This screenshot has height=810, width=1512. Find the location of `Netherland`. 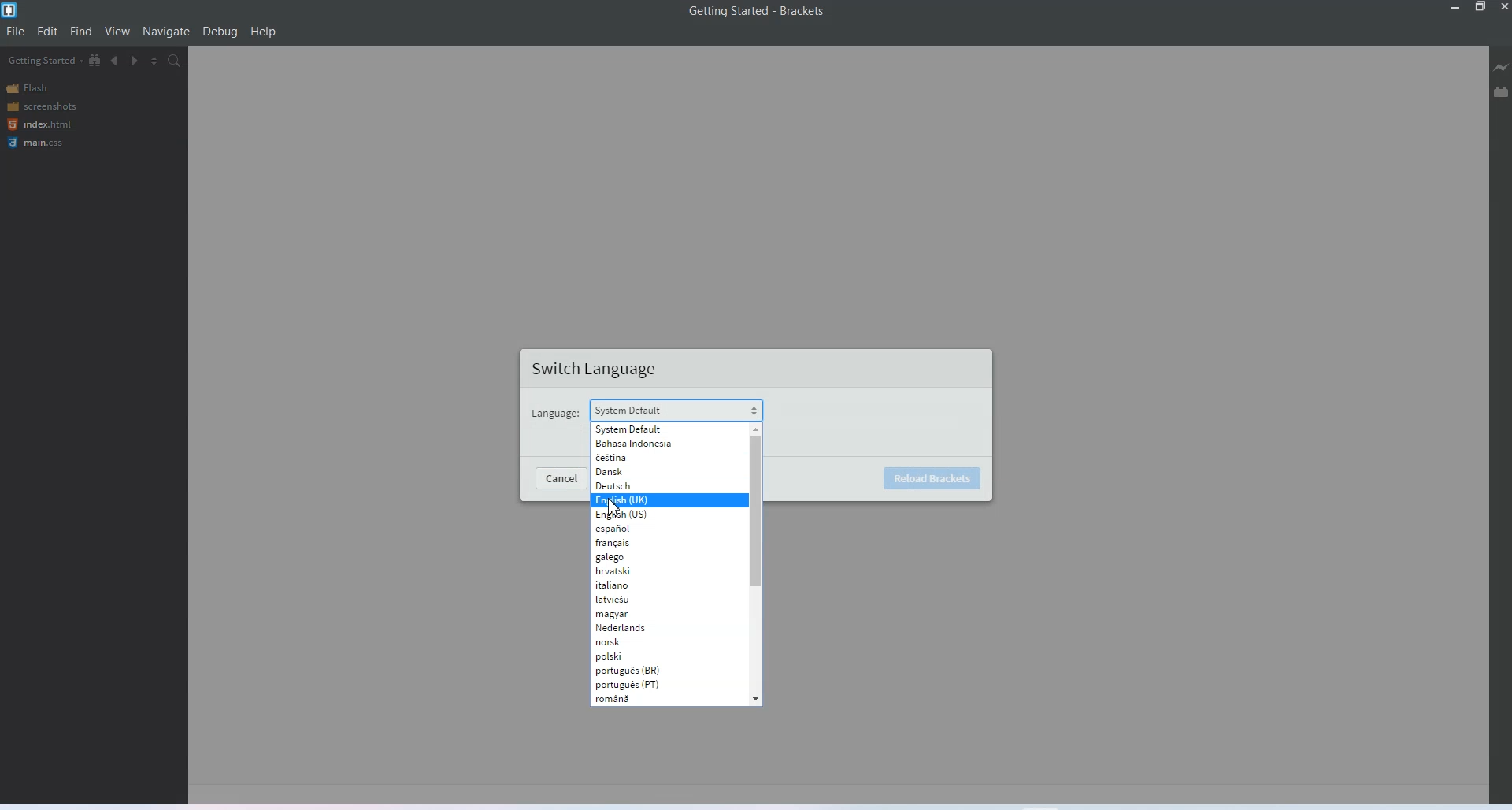

Netherland is located at coordinates (644, 627).